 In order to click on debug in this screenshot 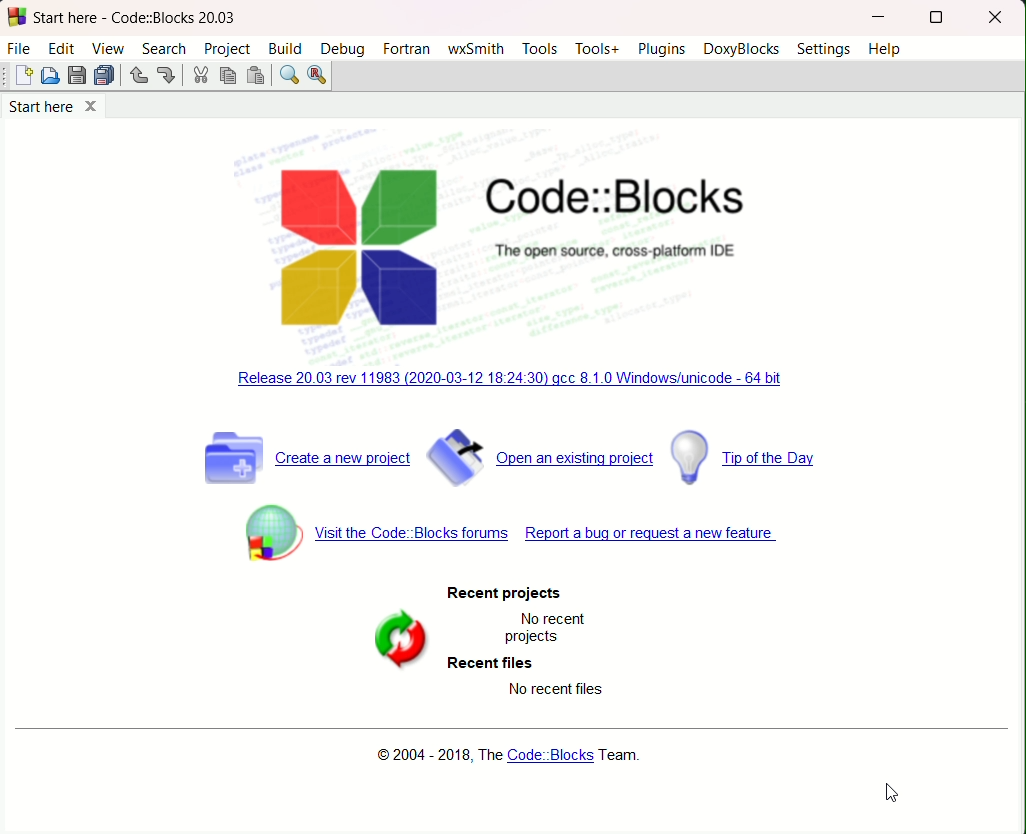, I will do `click(343, 50)`.